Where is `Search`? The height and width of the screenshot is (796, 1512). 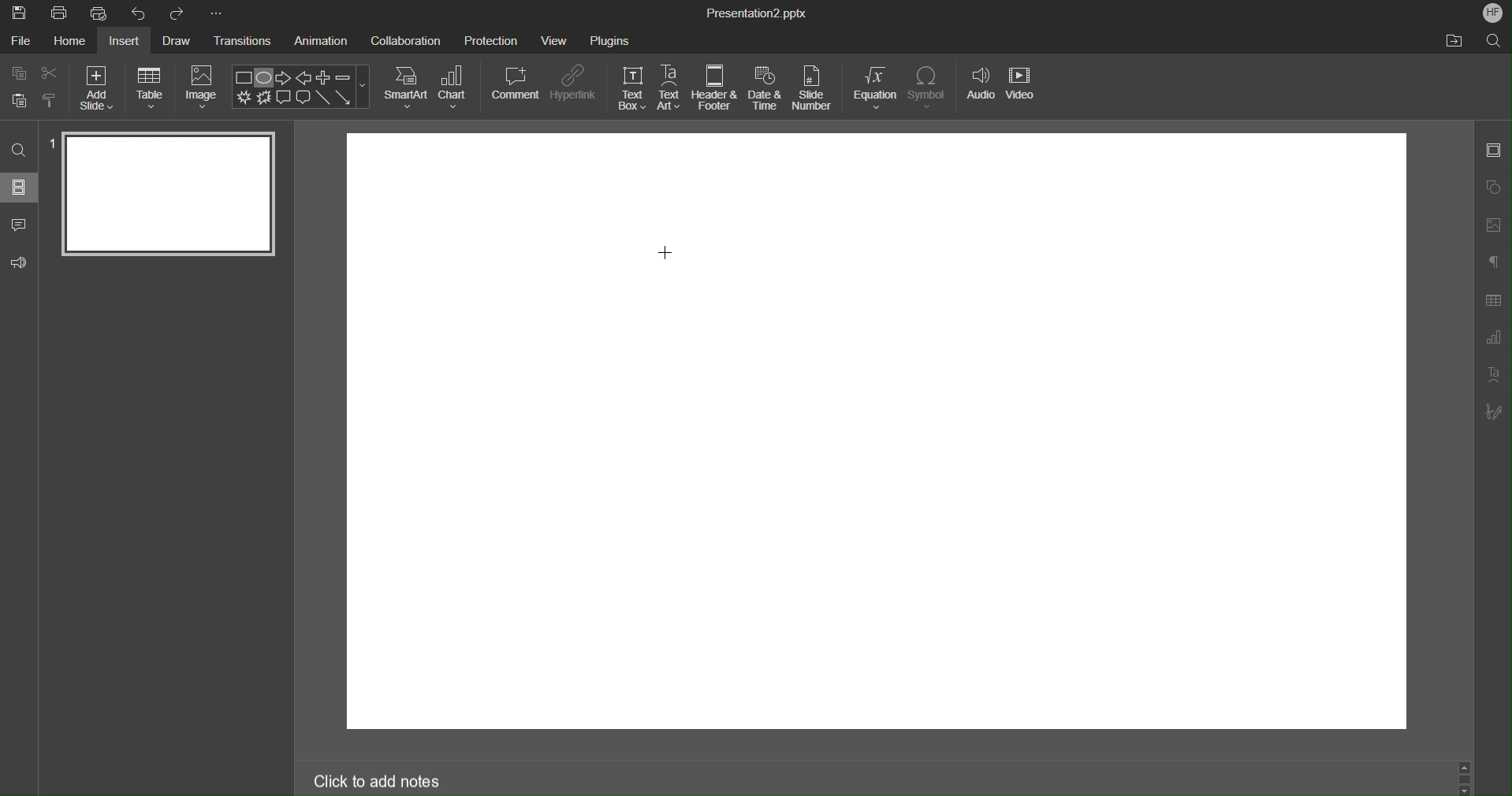
Search is located at coordinates (19, 149).